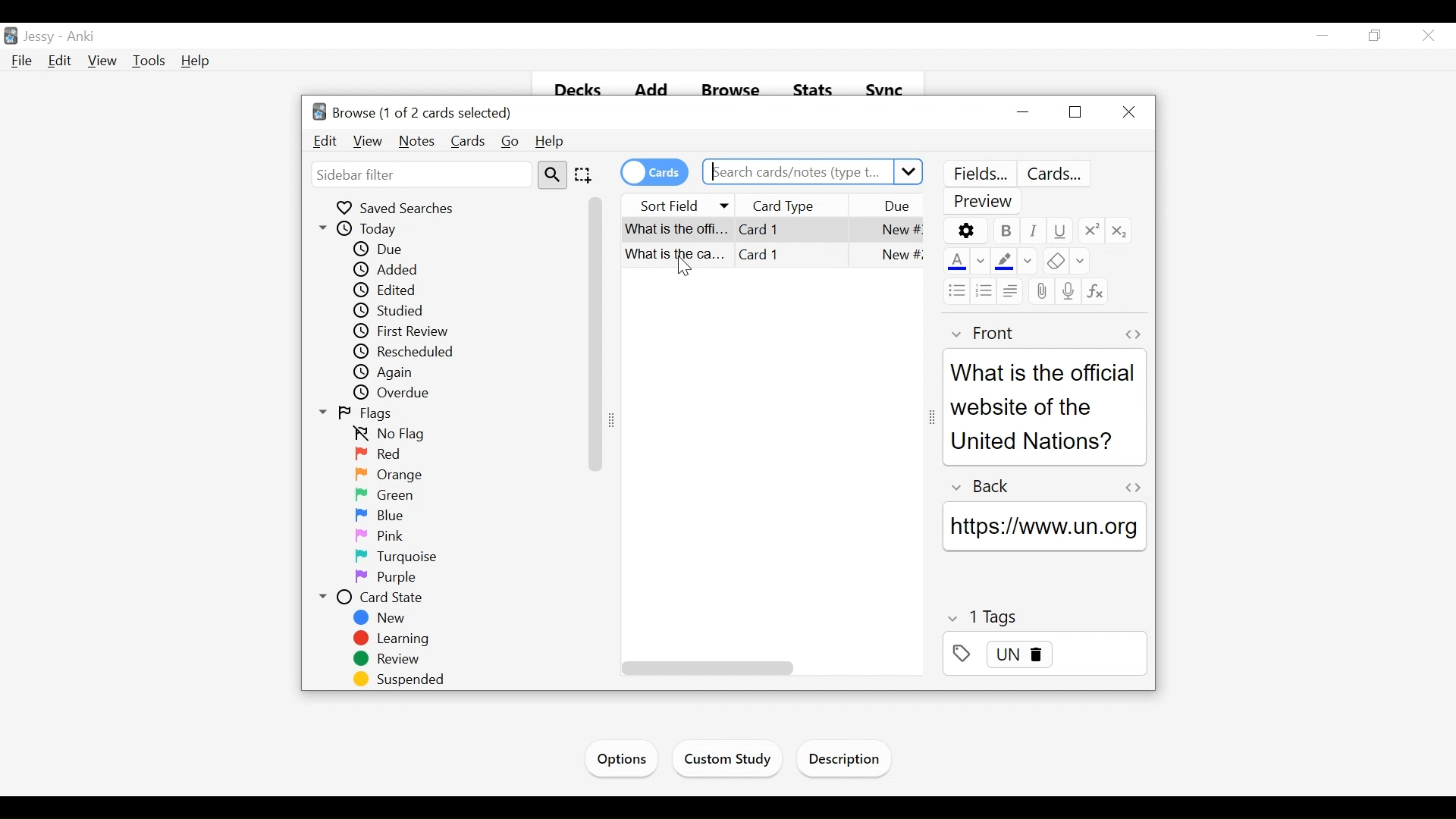 This screenshot has height=819, width=1456. Describe the element at coordinates (408, 331) in the screenshot. I see `First Review` at that location.